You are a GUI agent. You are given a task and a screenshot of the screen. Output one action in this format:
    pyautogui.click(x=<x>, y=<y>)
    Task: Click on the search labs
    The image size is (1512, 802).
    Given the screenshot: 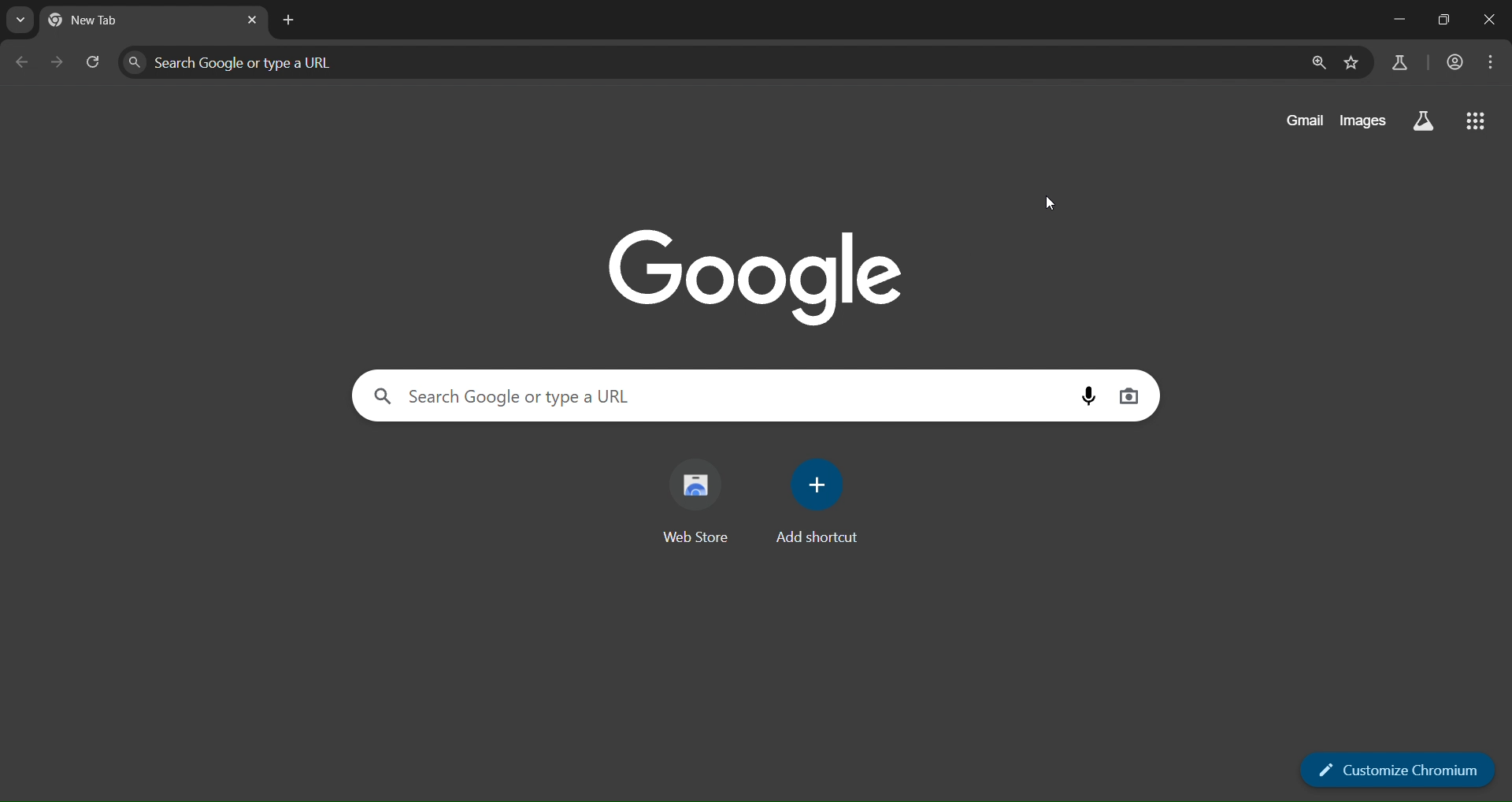 What is the action you would take?
    pyautogui.click(x=1422, y=118)
    